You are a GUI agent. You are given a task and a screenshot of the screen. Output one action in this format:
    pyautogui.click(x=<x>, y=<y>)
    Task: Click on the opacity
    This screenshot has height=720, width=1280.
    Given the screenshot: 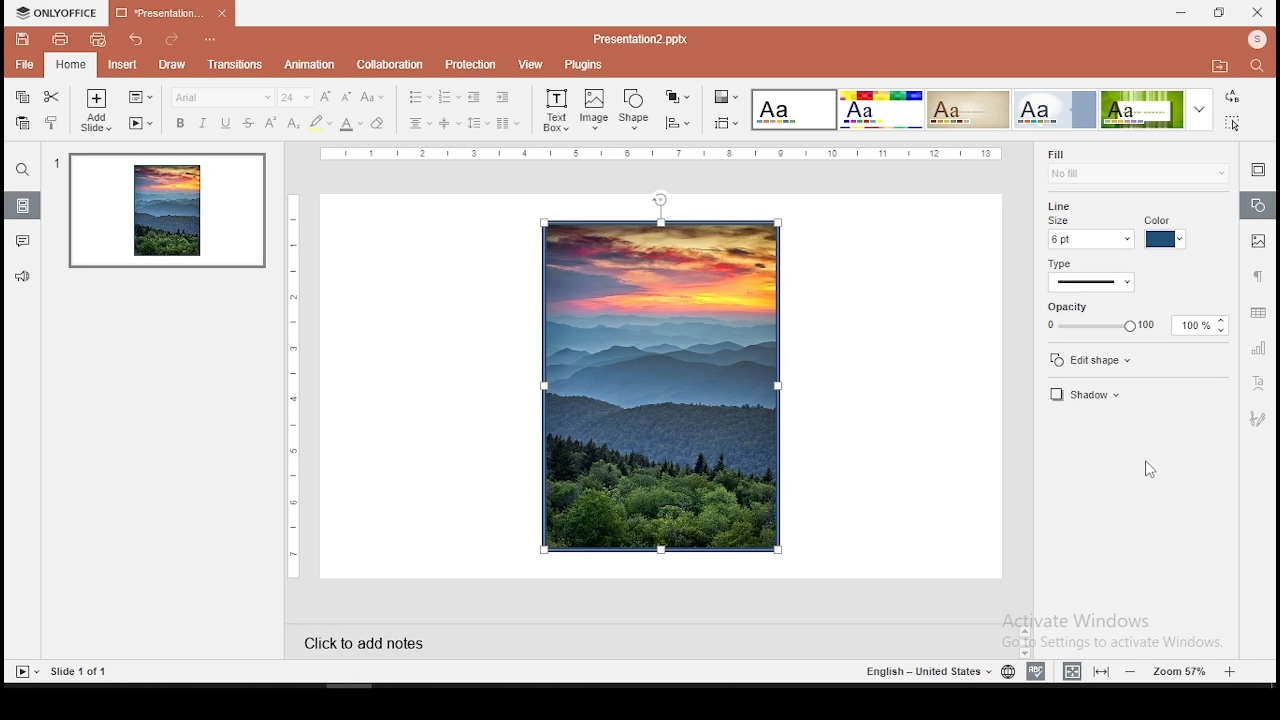 What is the action you would take?
    pyautogui.click(x=1130, y=322)
    